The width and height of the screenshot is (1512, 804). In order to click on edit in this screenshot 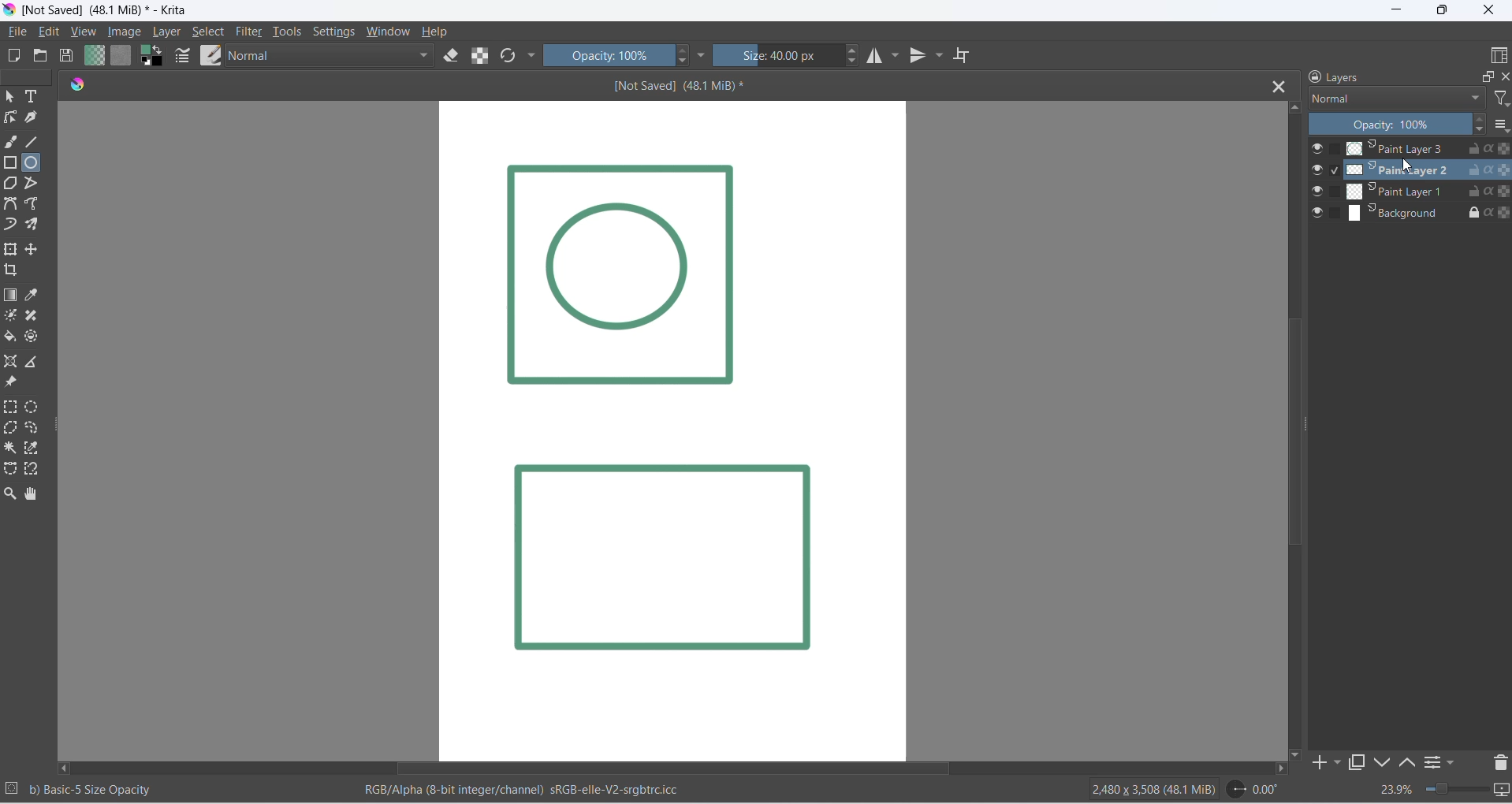, I will do `click(48, 32)`.